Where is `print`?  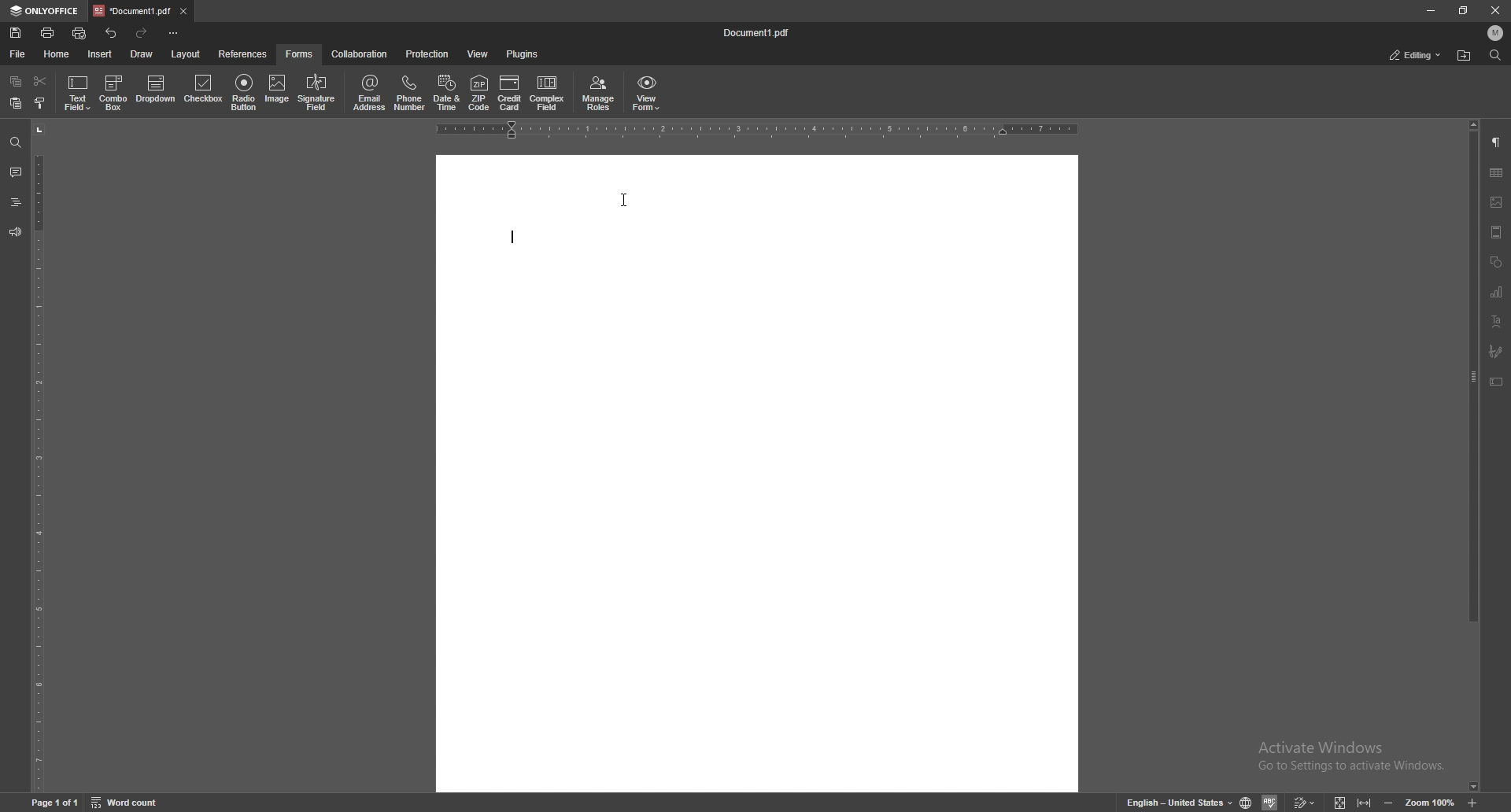 print is located at coordinates (49, 32).